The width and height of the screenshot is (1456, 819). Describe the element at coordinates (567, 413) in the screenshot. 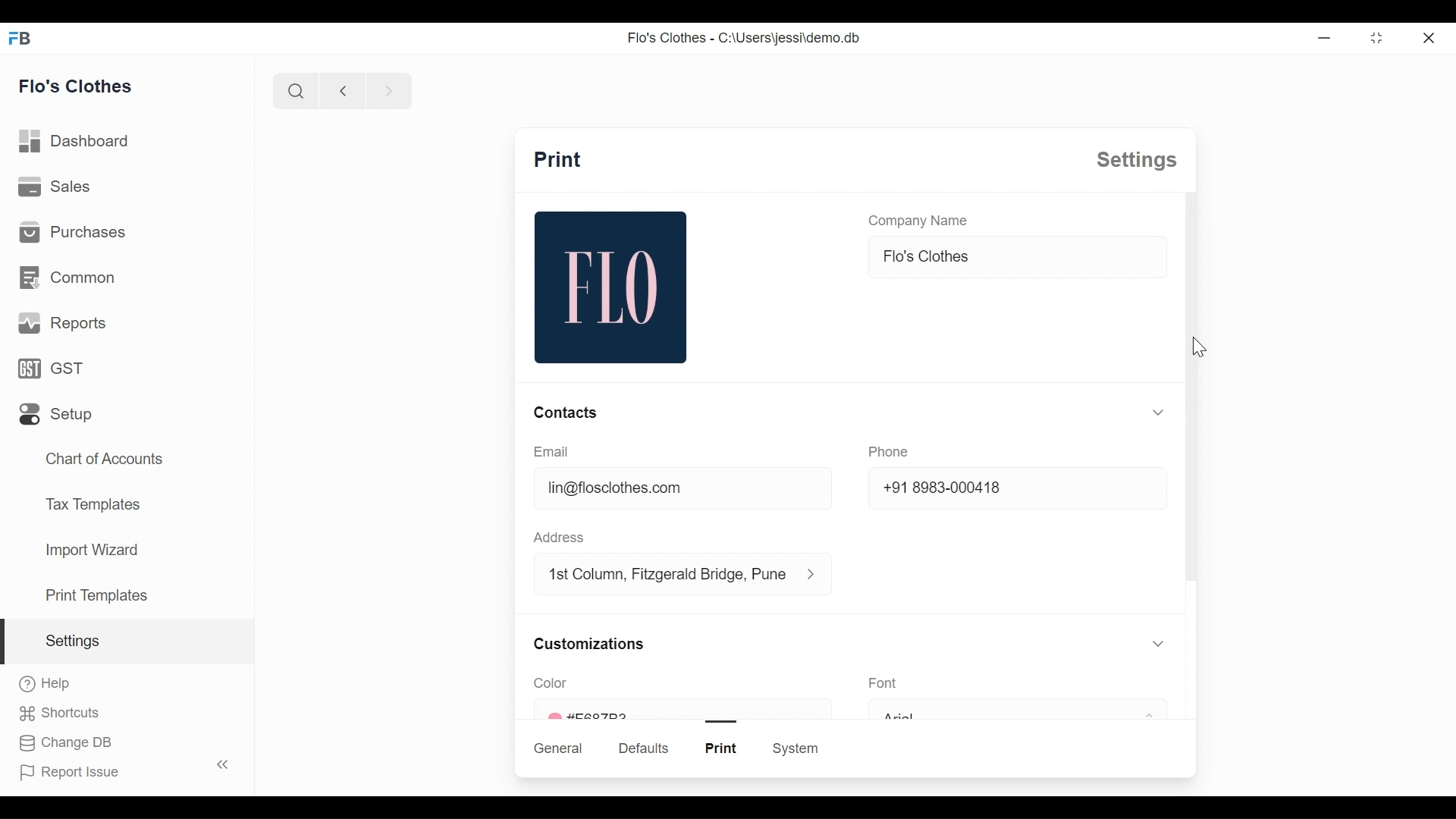

I see `contacts` at that location.